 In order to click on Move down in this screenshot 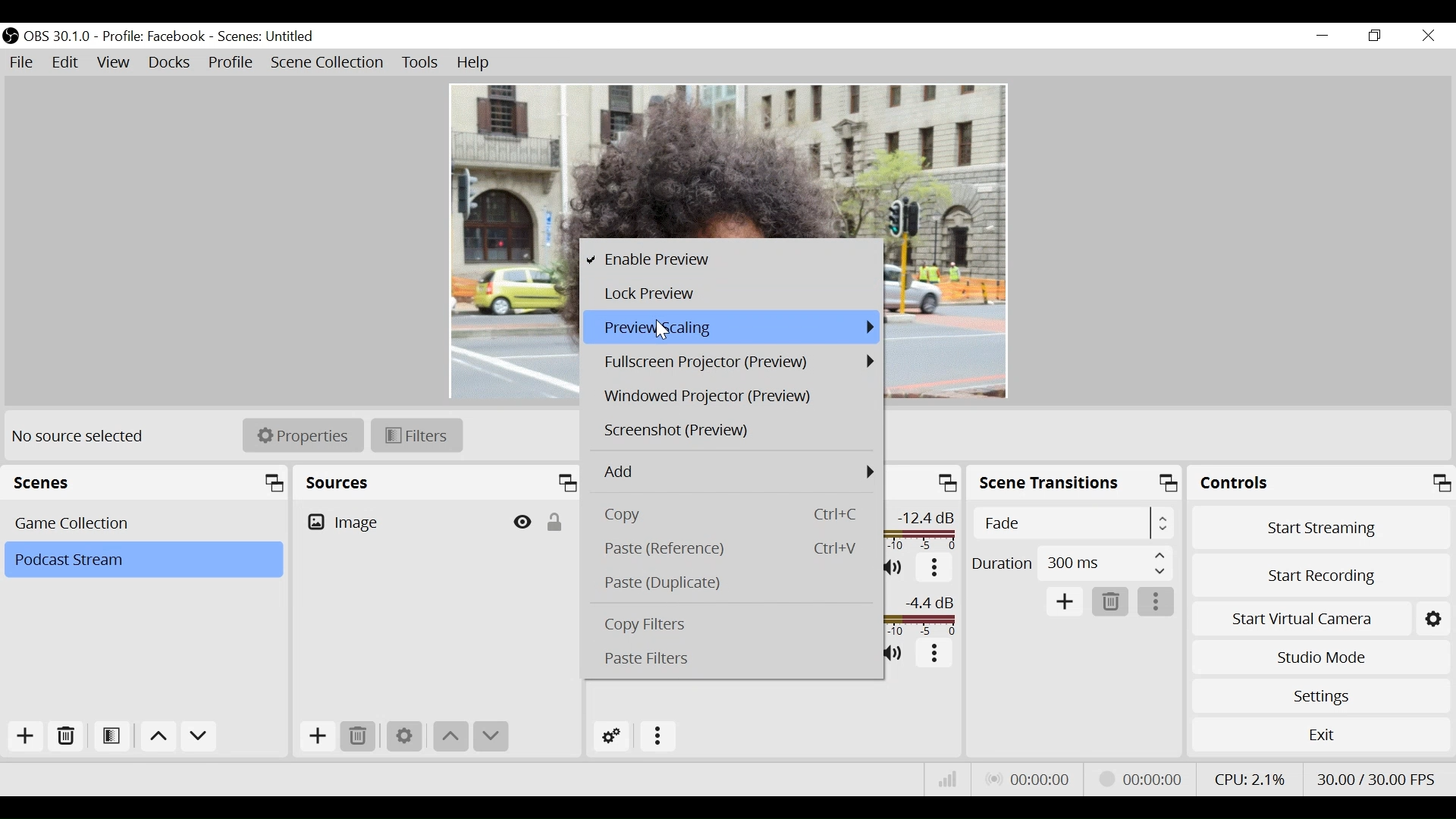, I will do `click(199, 739)`.